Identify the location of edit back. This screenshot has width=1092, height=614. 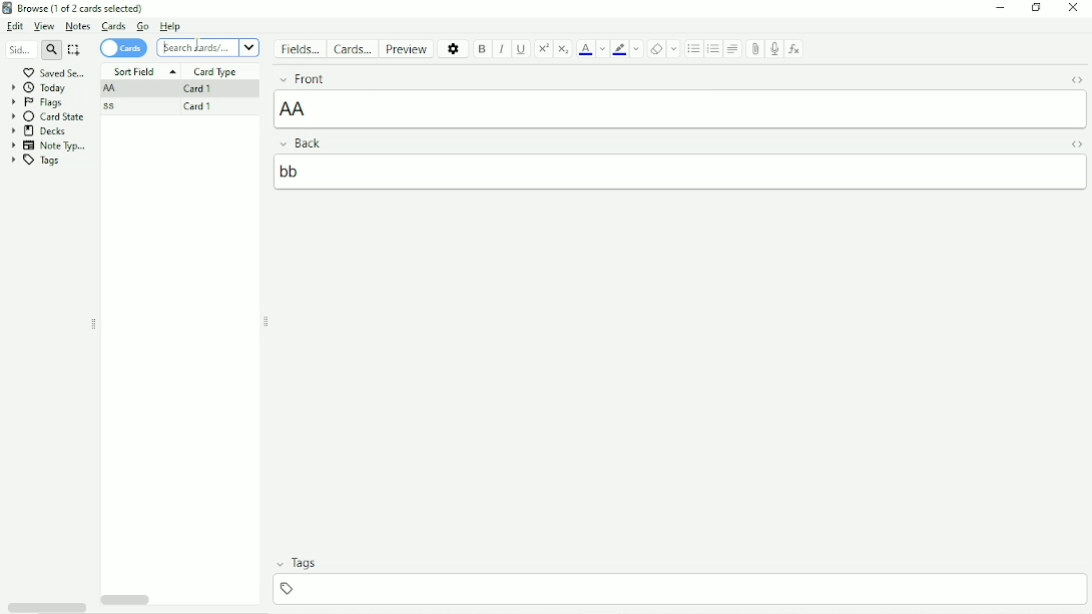
(682, 171).